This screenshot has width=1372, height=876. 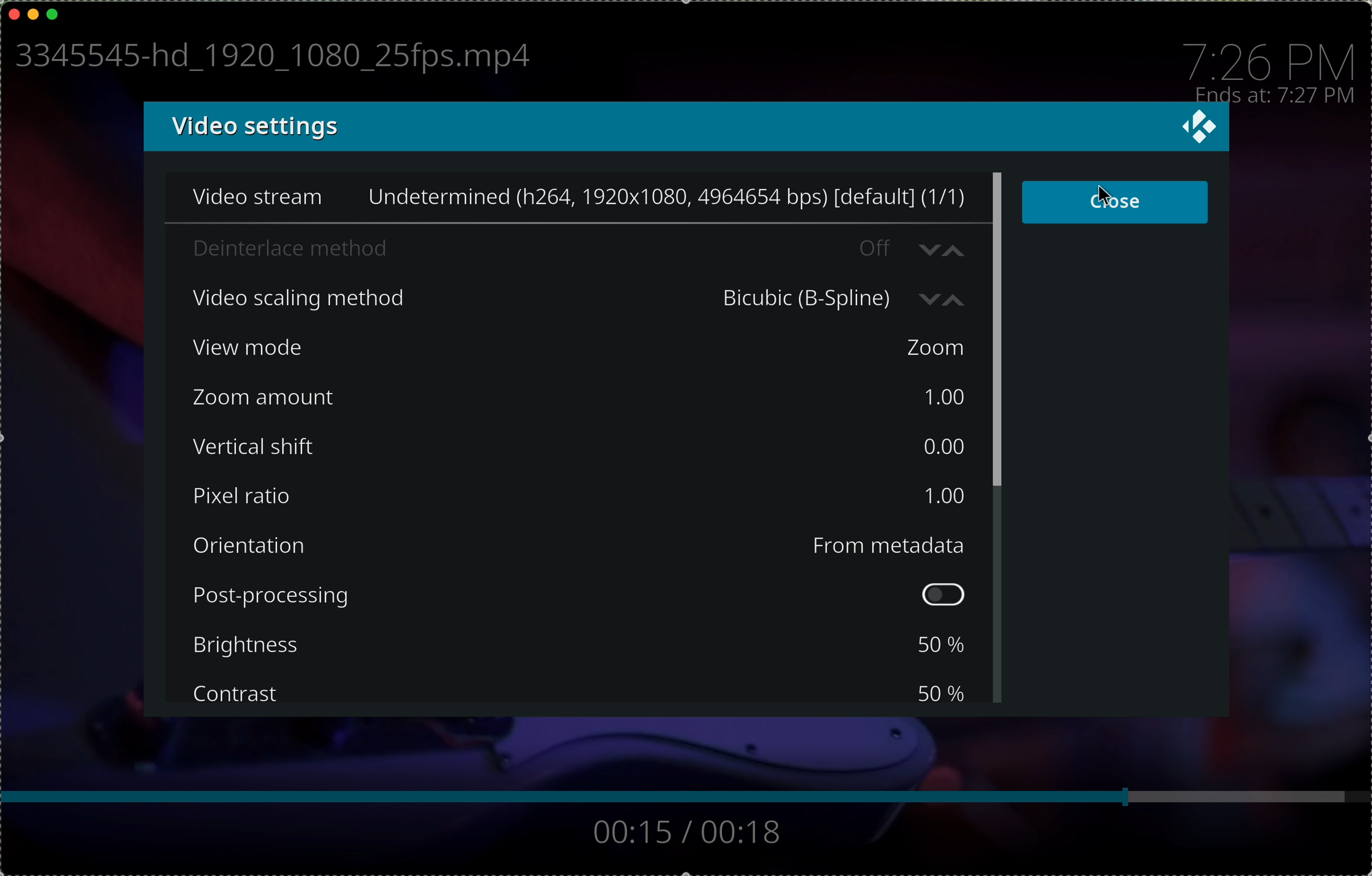 What do you see at coordinates (317, 300) in the screenshot?
I see `Video scaling method` at bounding box center [317, 300].